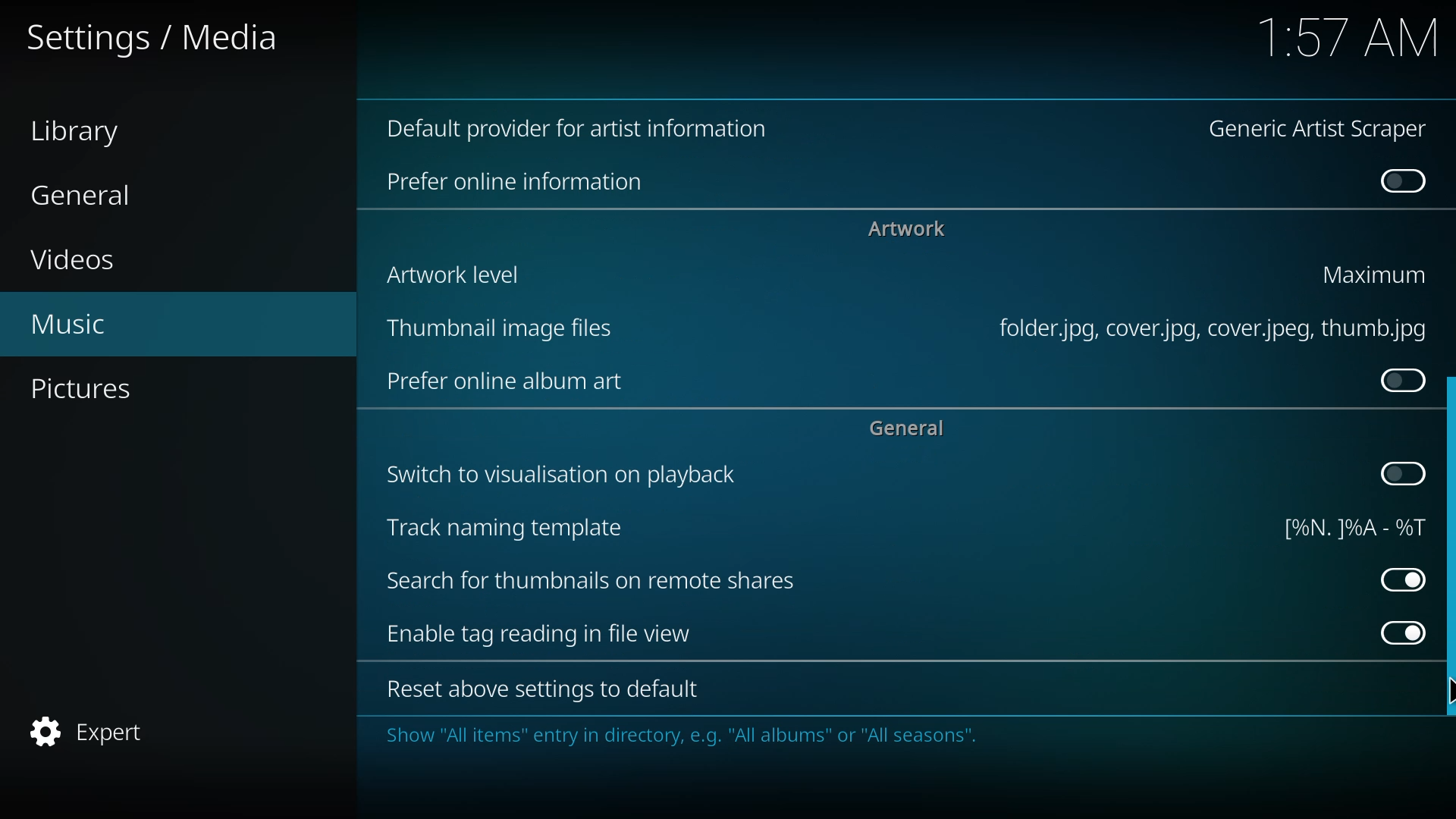 The height and width of the screenshot is (819, 1456). I want to click on enabled, so click(1401, 579).